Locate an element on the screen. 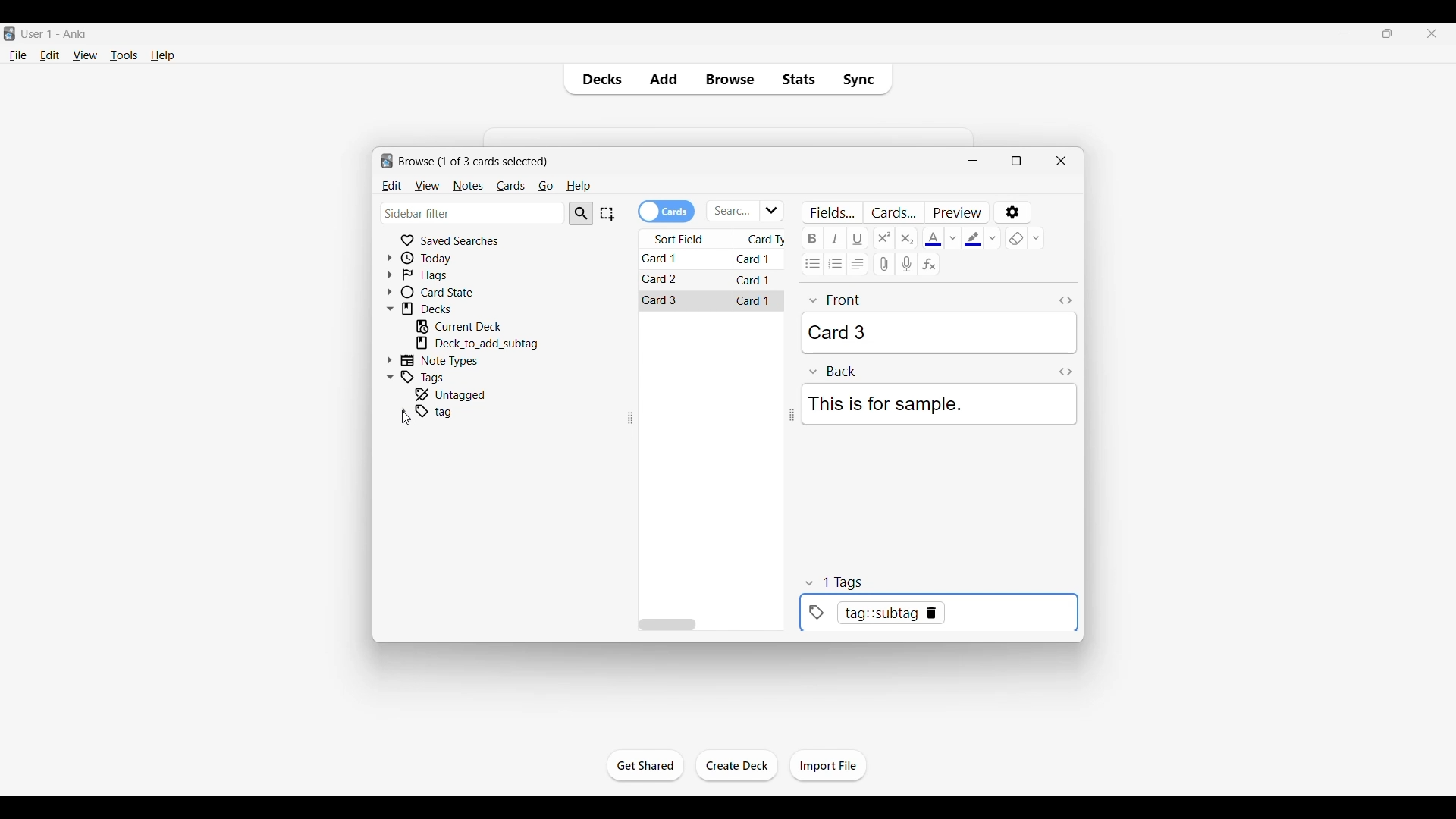 The height and width of the screenshot is (819, 1456). File menu is located at coordinates (18, 55).